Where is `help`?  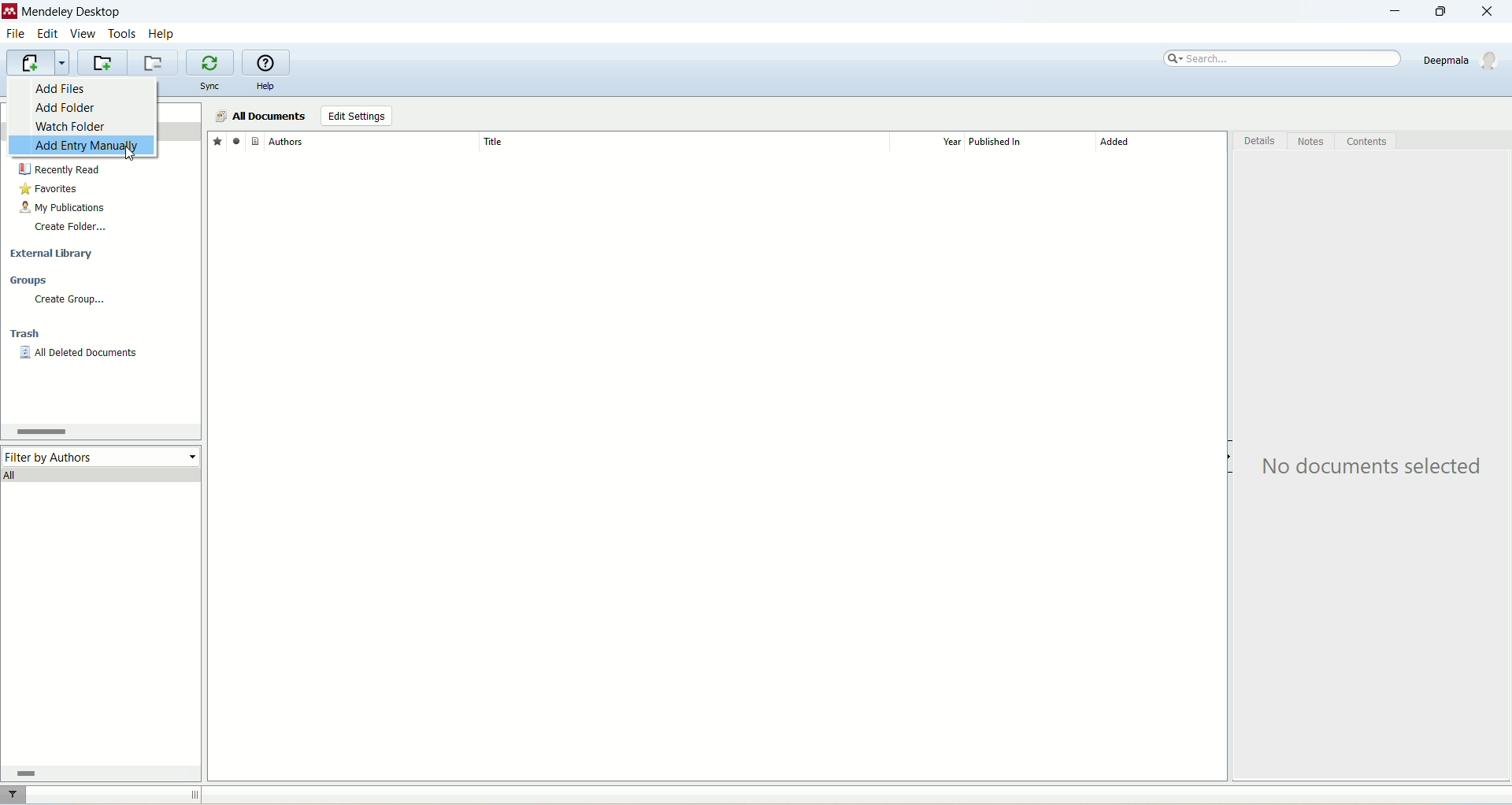
help is located at coordinates (163, 33).